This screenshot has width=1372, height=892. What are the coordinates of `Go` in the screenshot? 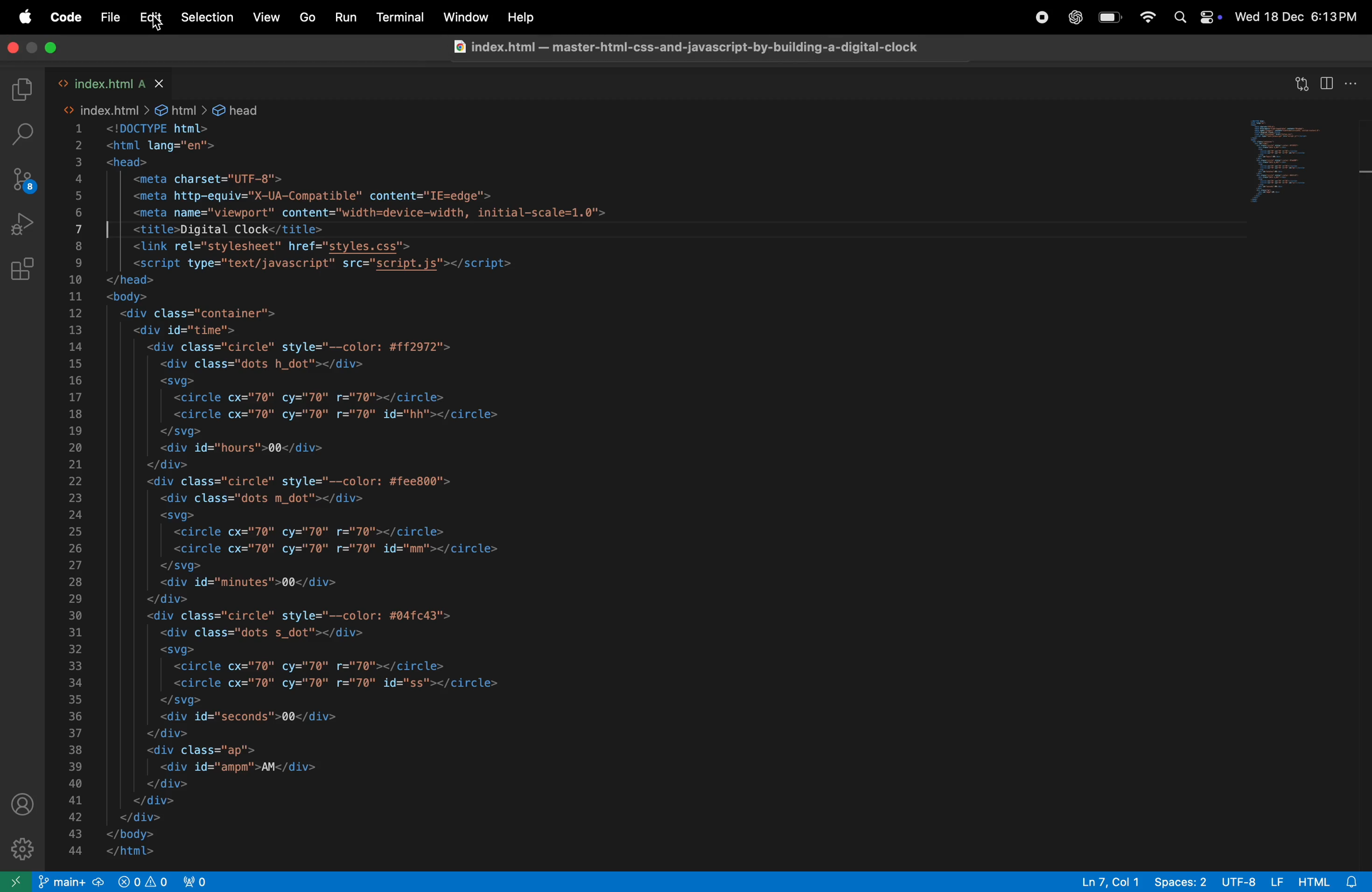 It's located at (307, 18).